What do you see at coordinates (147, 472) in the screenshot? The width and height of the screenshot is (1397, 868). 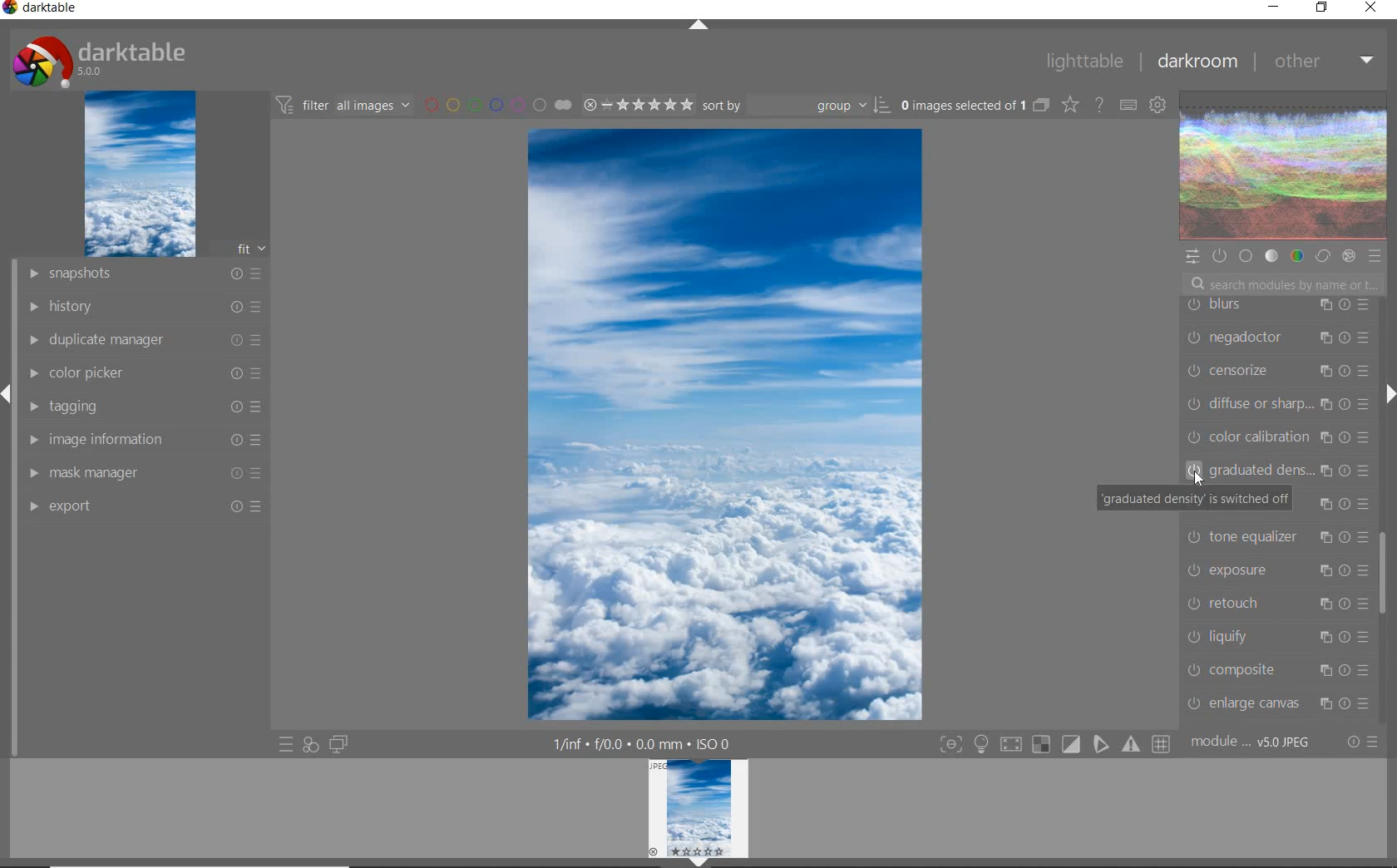 I see `MASK MANAGER` at bounding box center [147, 472].